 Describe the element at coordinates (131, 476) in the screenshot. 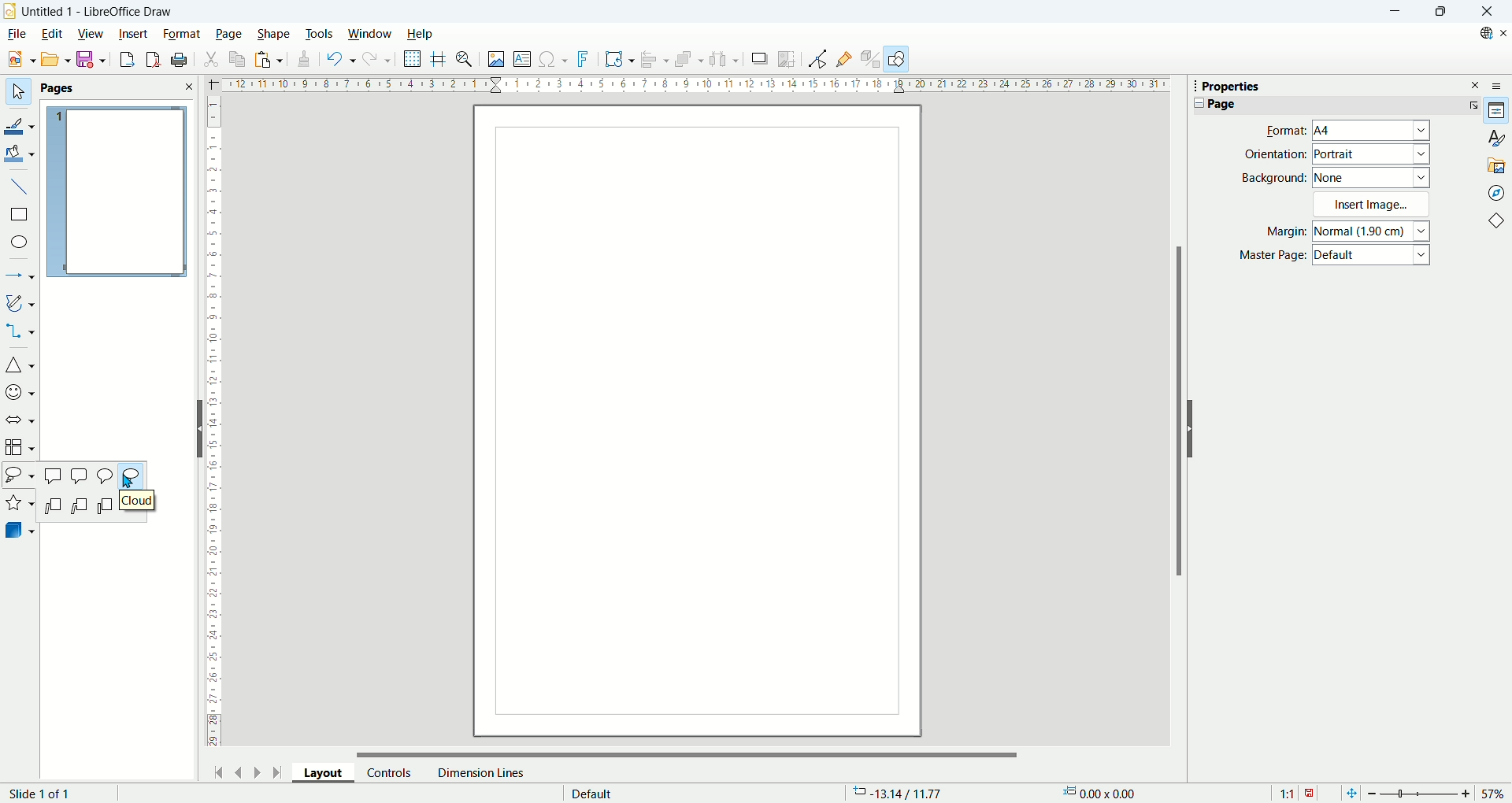

I see `Cloud` at that location.